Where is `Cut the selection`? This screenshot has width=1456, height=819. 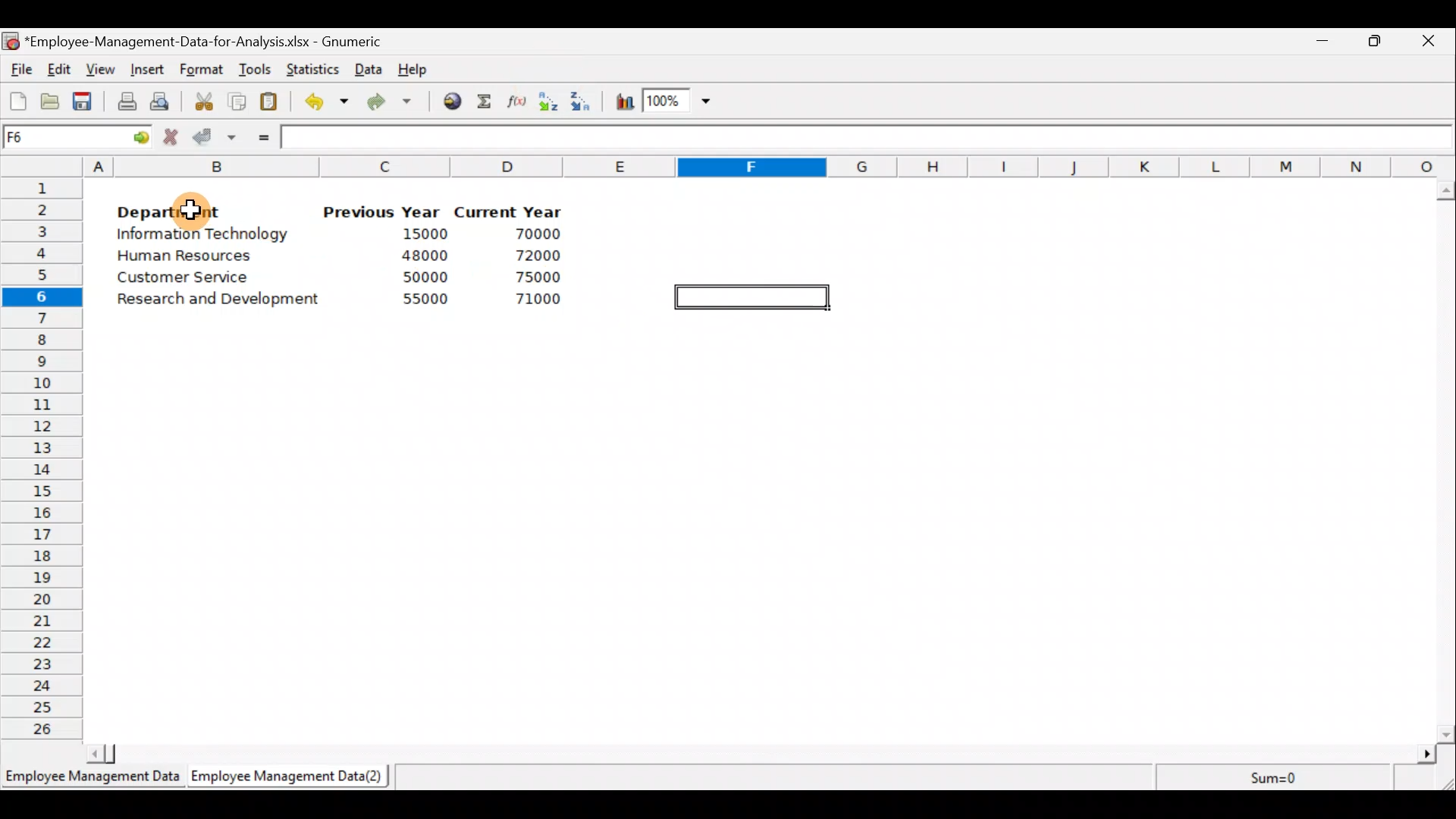 Cut the selection is located at coordinates (199, 99).